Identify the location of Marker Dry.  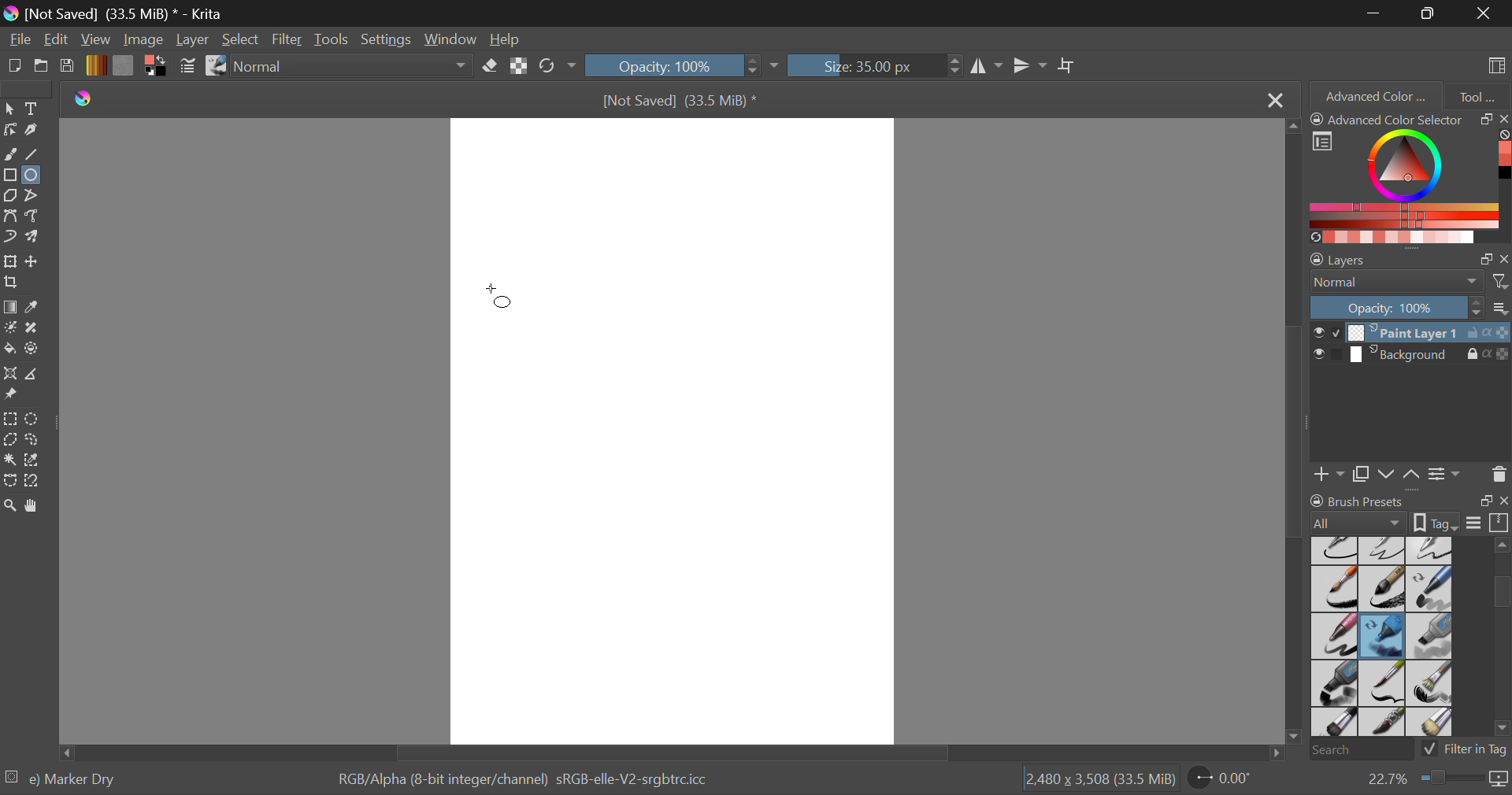
(1383, 636).